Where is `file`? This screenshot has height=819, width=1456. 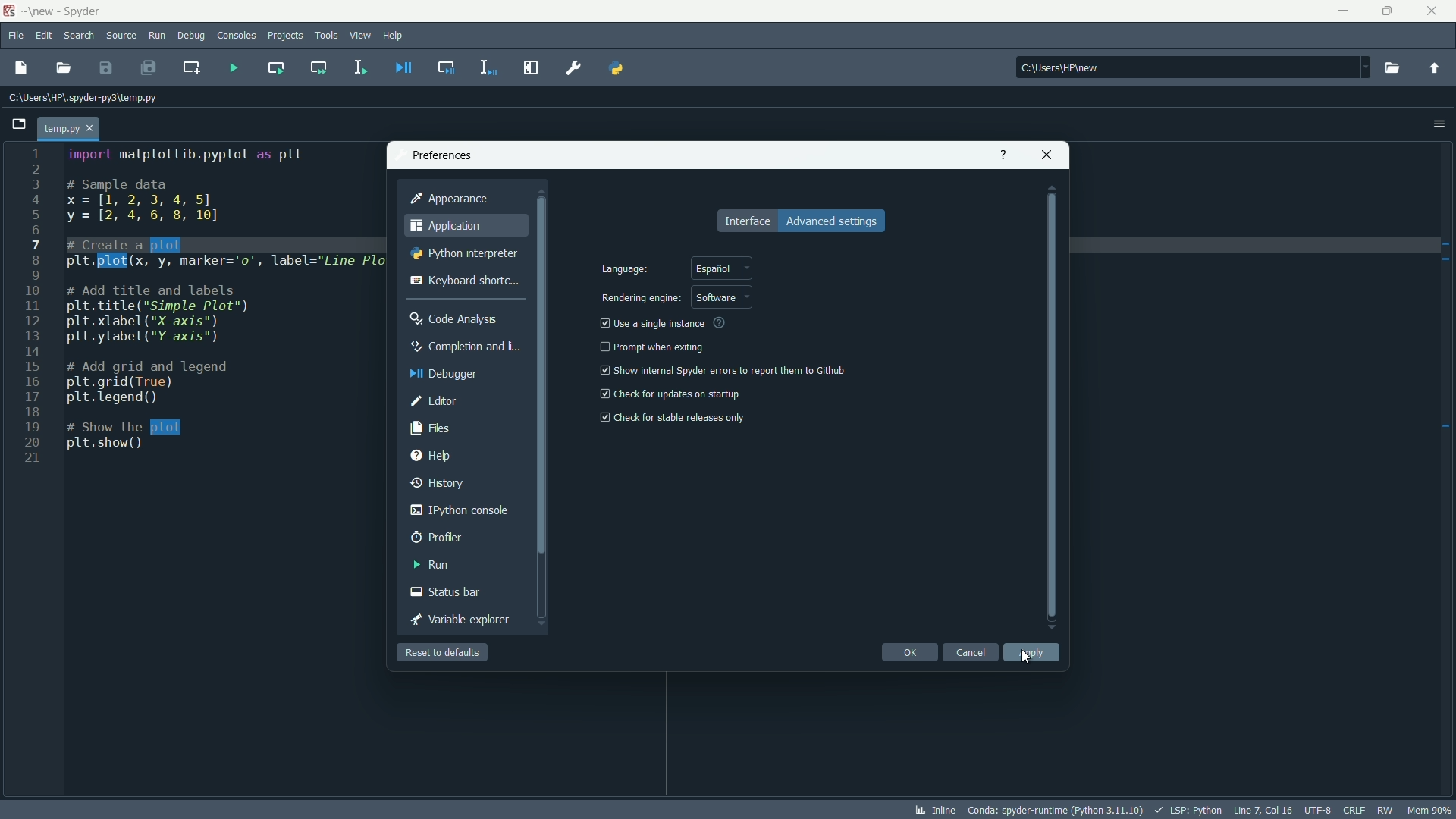
file is located at coordinates (16, 37).